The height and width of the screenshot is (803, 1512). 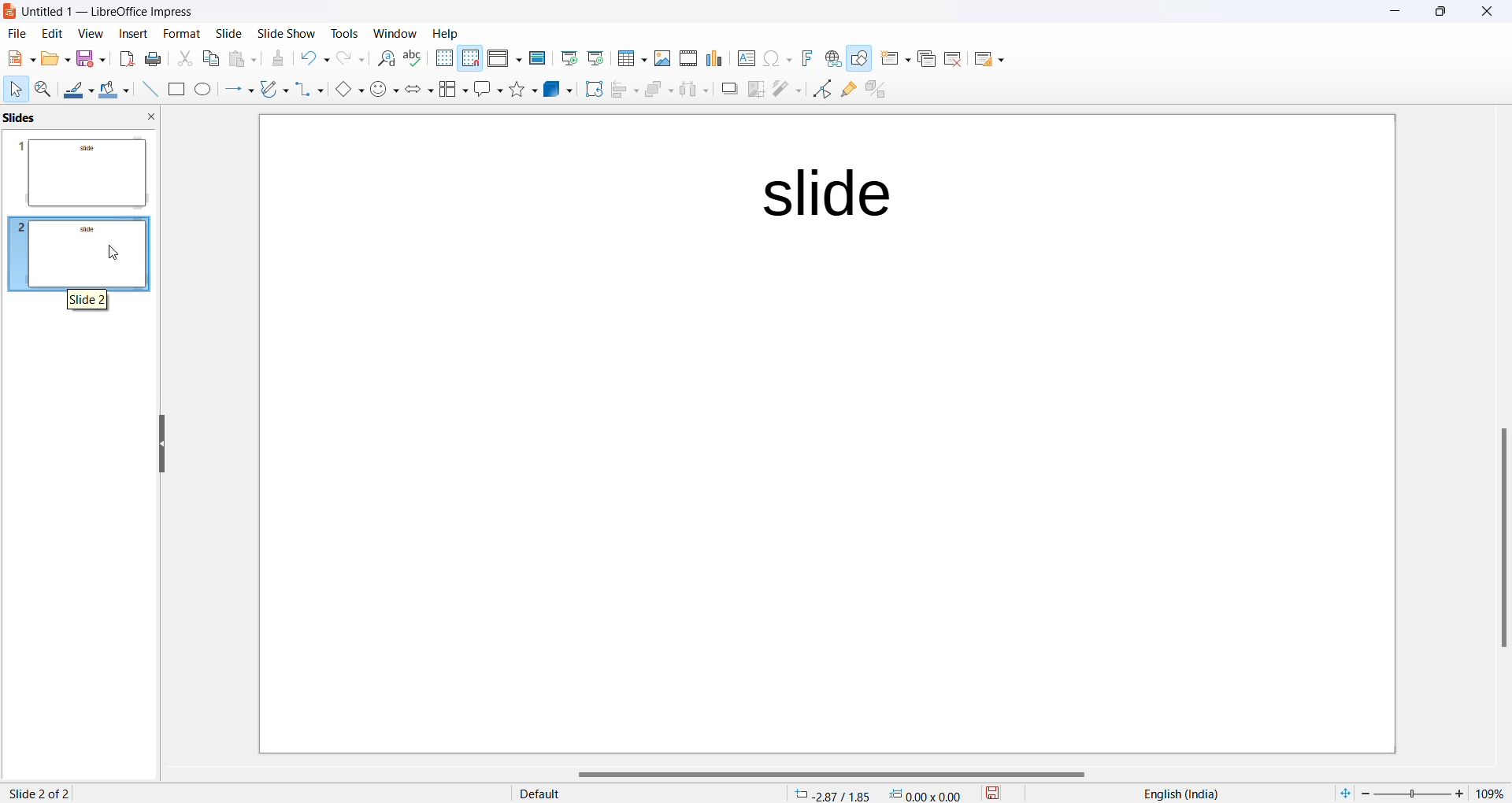 What do you see at coordinates (351, 58) in the screenshot?
I see `Redo` at bounding box center [351, 58].